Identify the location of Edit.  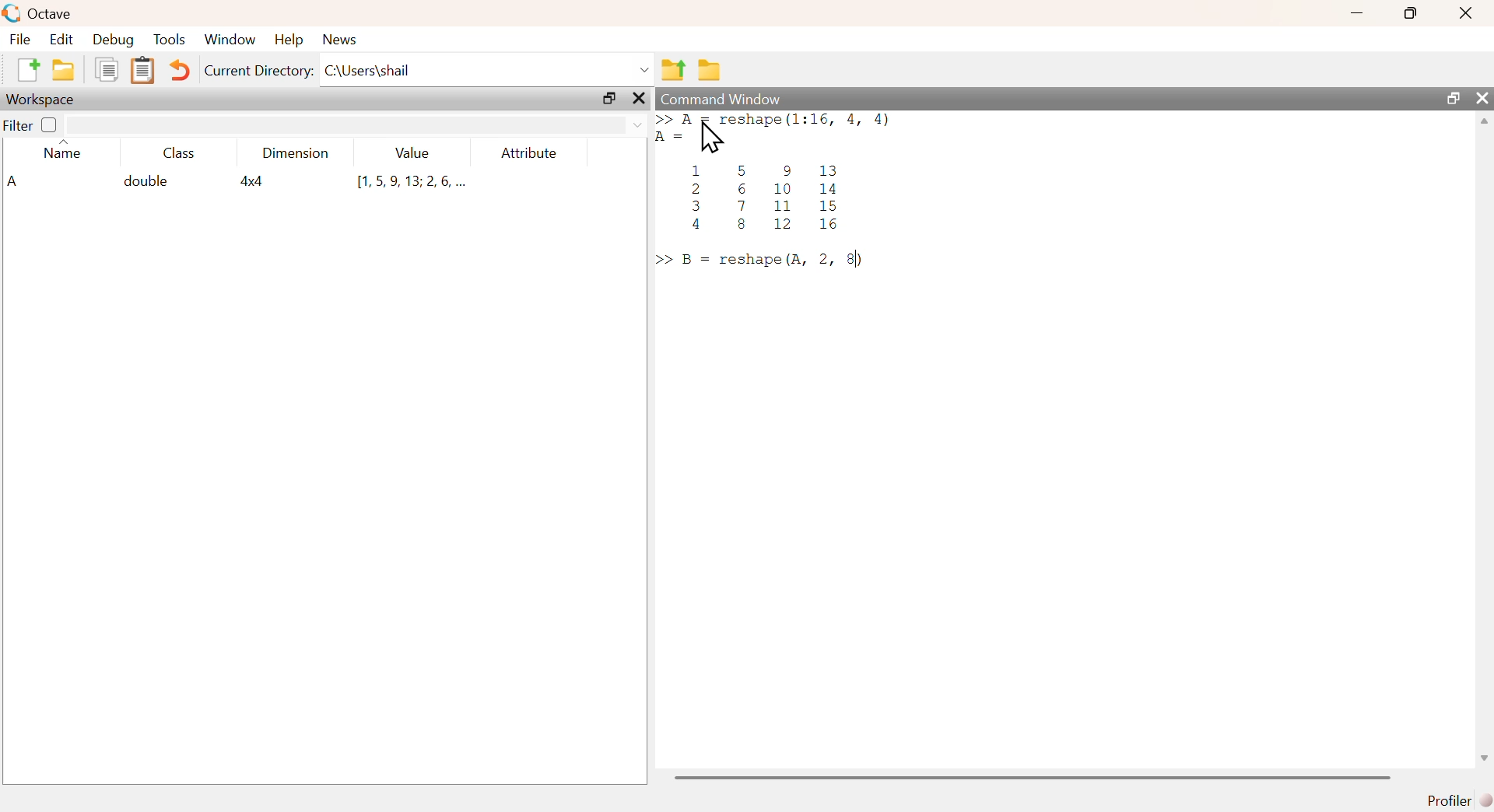
(63, 39).